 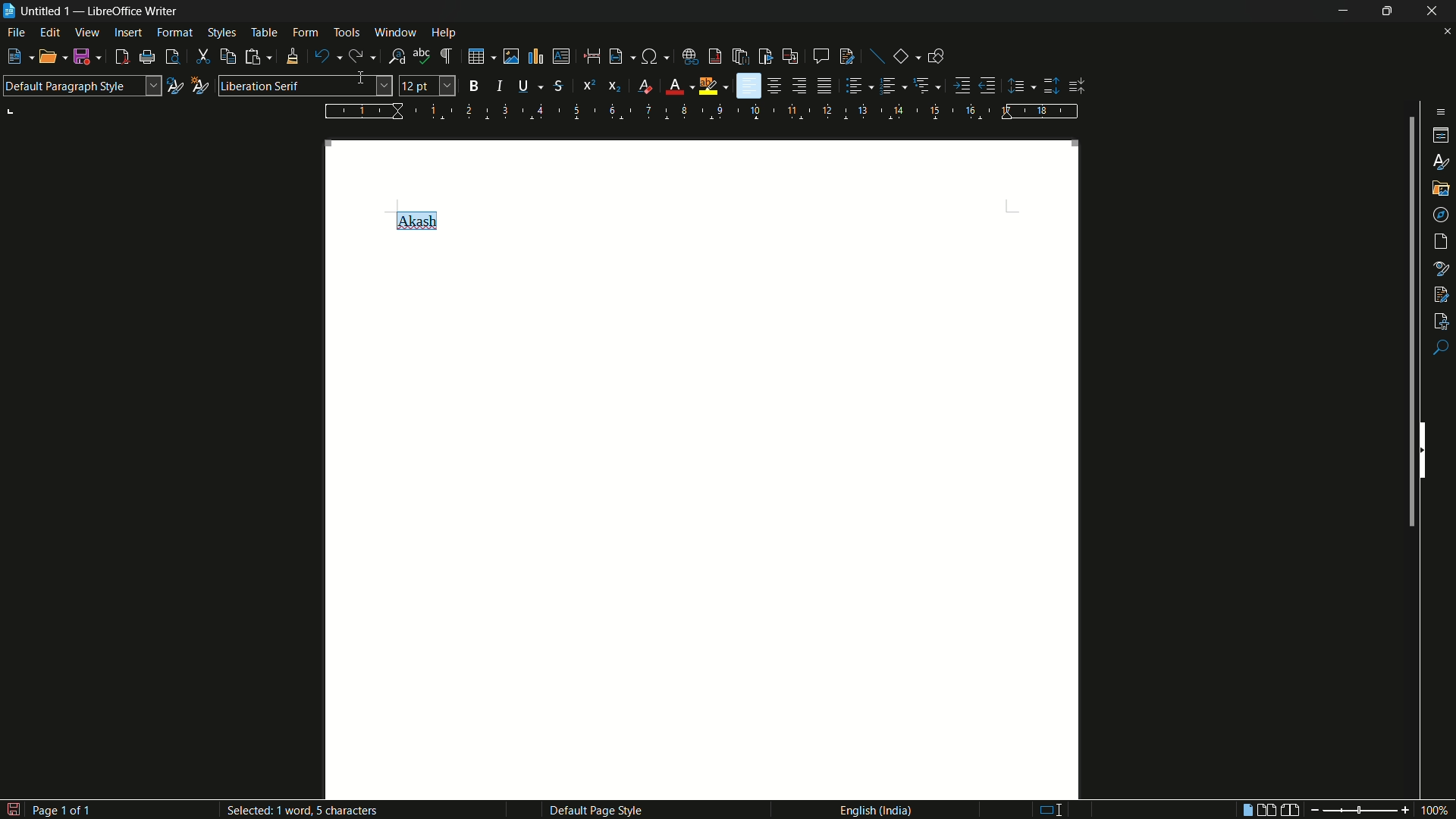 What do you see at coordinates (789, 57) in the screenshot?
I see `insert cross reference` at bounding box center [789, 57].